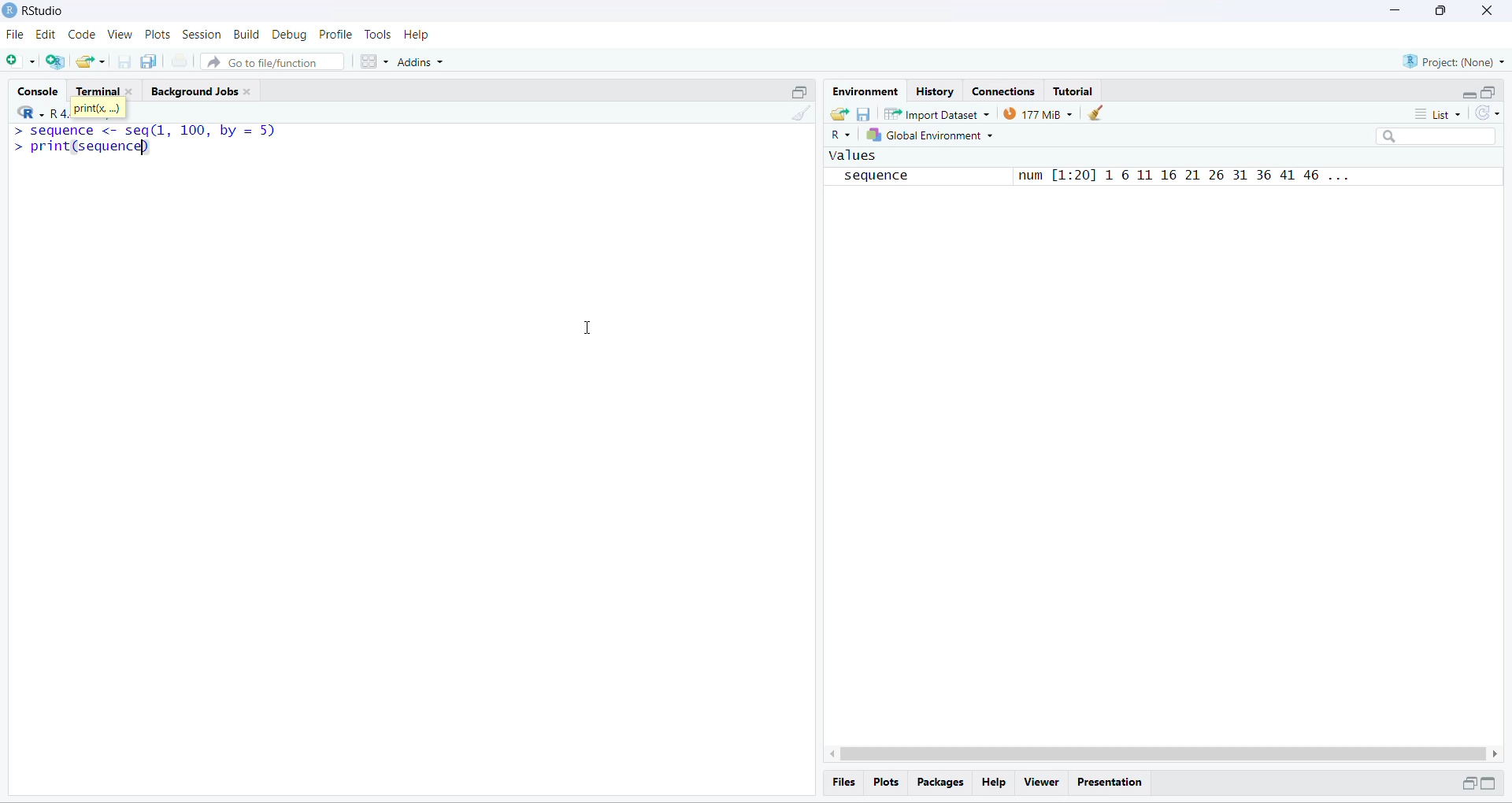  Describe the element at coordinates (98, 109) in the screenshot. I see `print(x, ...)` at that location.